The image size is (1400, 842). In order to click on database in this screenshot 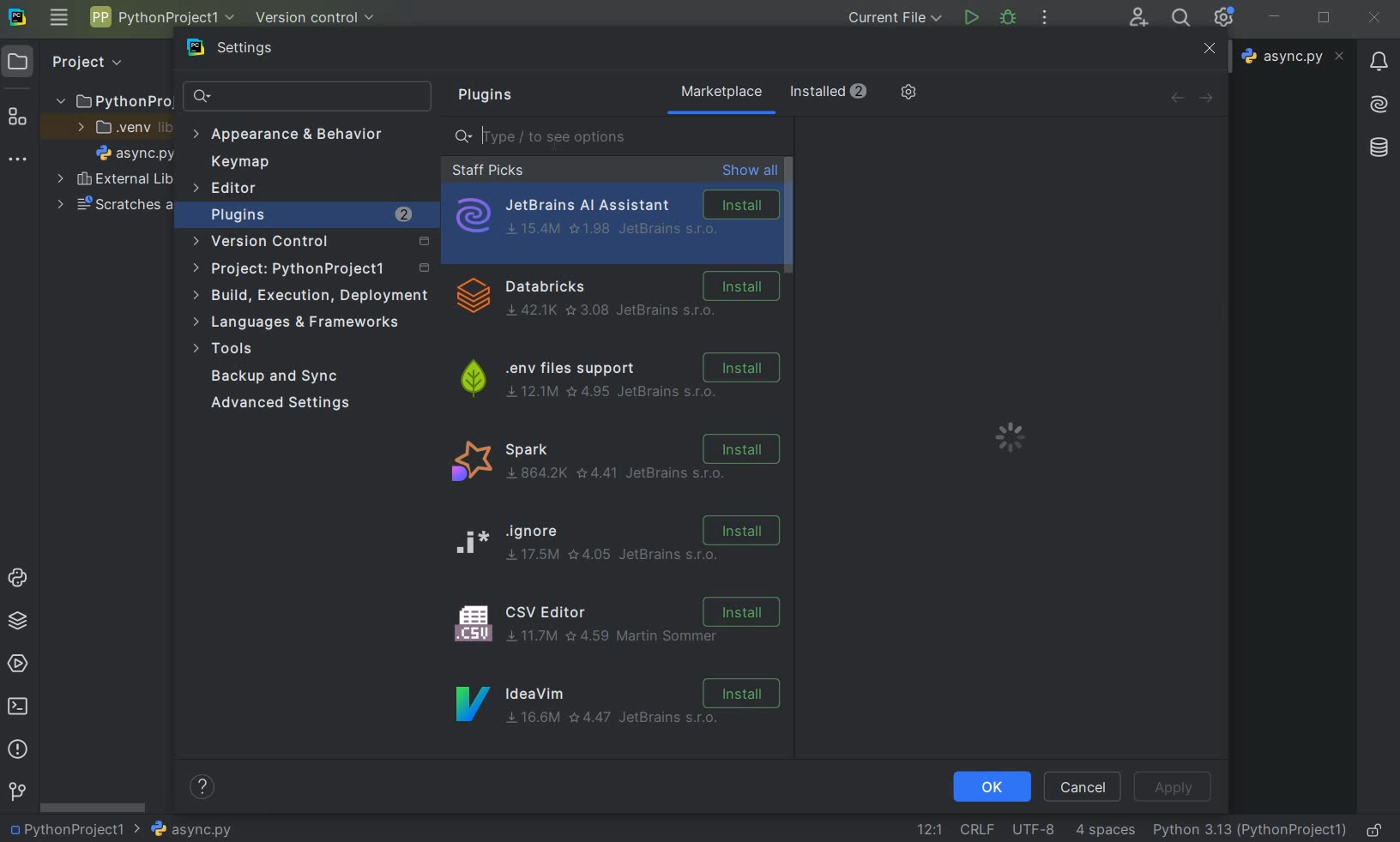, I will do `click(1378, 148)`.